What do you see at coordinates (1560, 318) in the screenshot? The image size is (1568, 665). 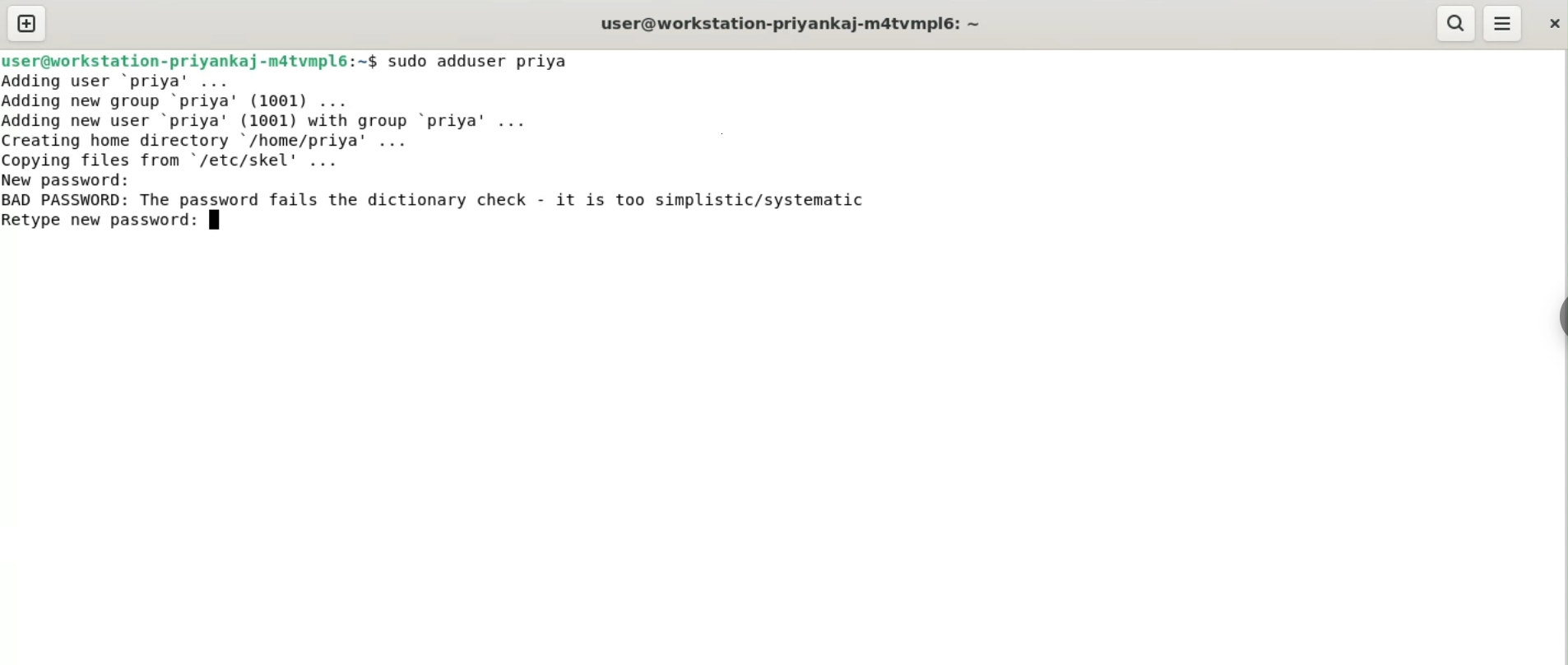 I see `sidebar` at bounding box center [1560, 318].